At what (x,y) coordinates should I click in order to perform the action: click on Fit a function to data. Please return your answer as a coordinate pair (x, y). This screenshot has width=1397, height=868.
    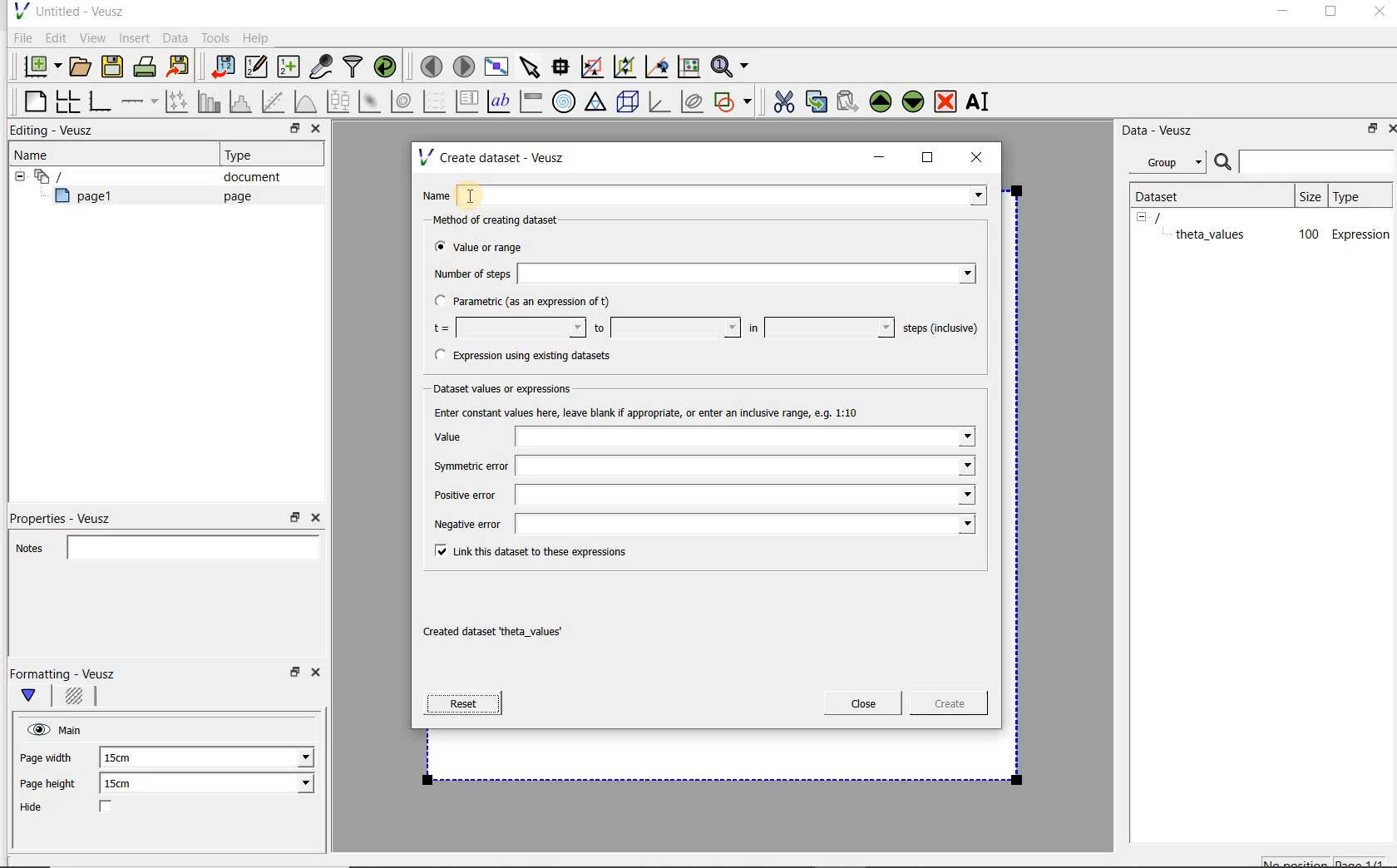
    Looking at the image, I should click on (275, 101).